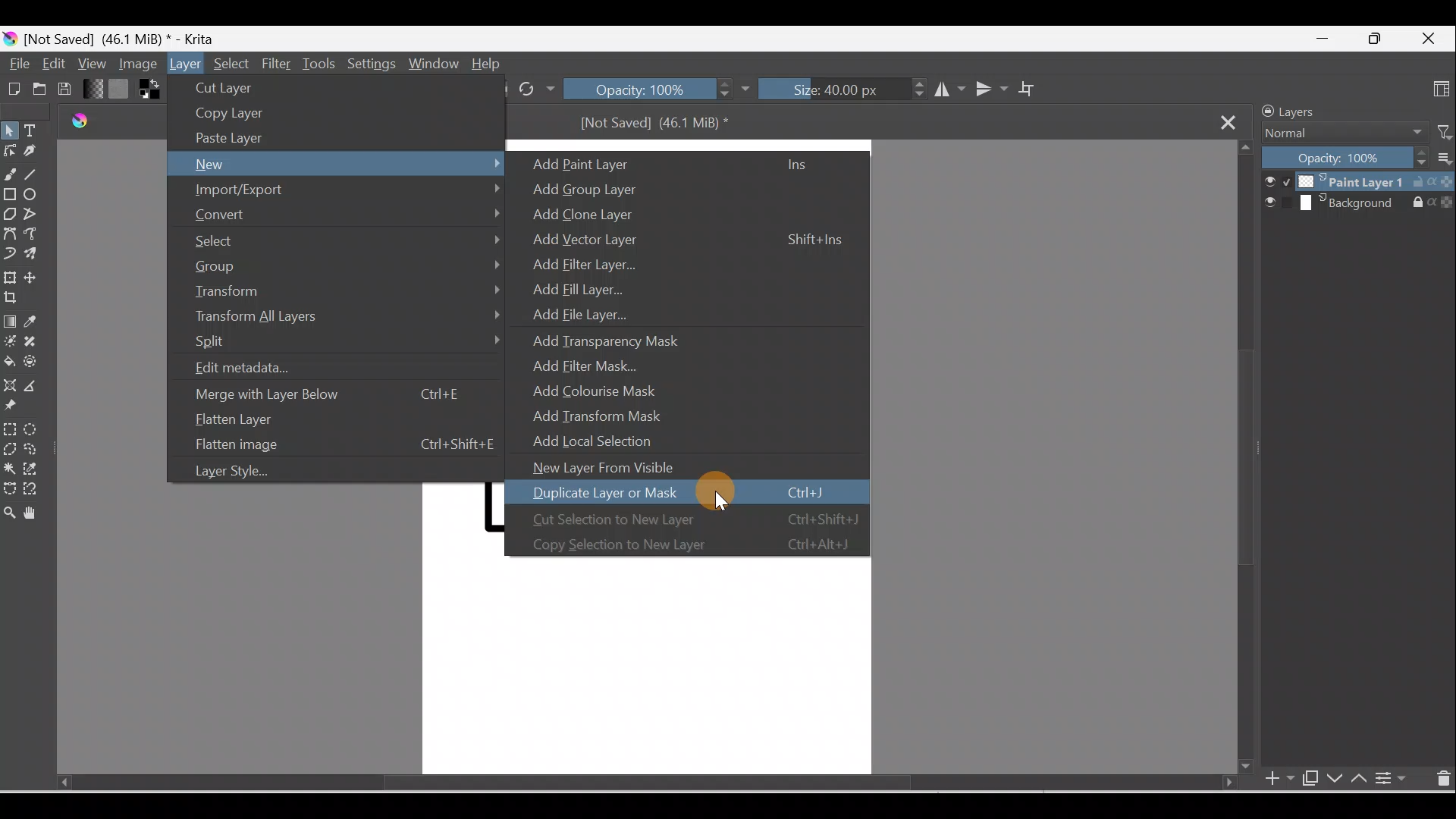 The image size is (1456, 819). What do you see at coordinates (595, 364) in the screenshot?
I see `Add filter mask` at bounding box center [595, 364].